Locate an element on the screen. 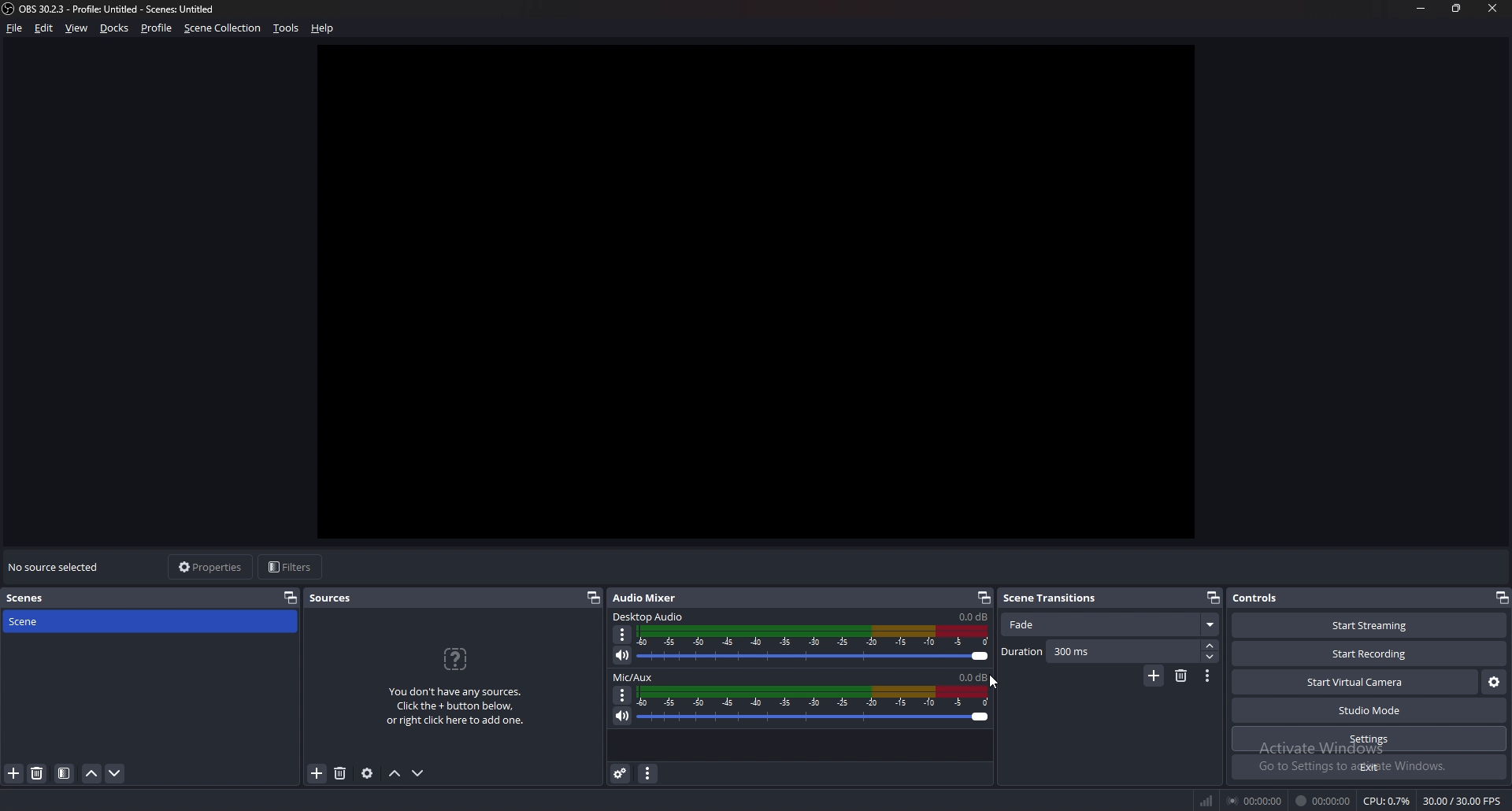  virtual camera settings is located at coordinates (1493, 683).